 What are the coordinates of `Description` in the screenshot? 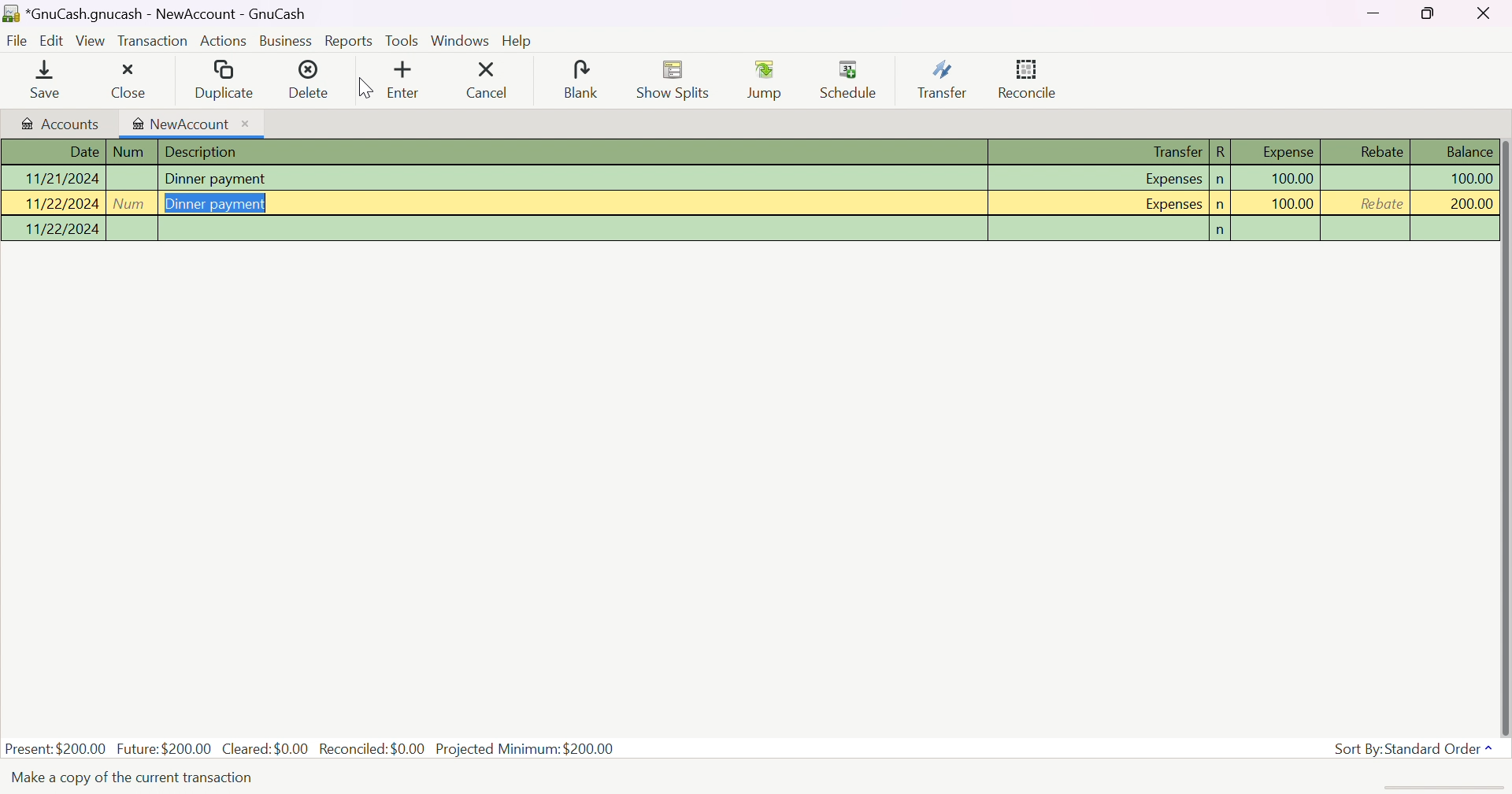 It's located at (206, 153).